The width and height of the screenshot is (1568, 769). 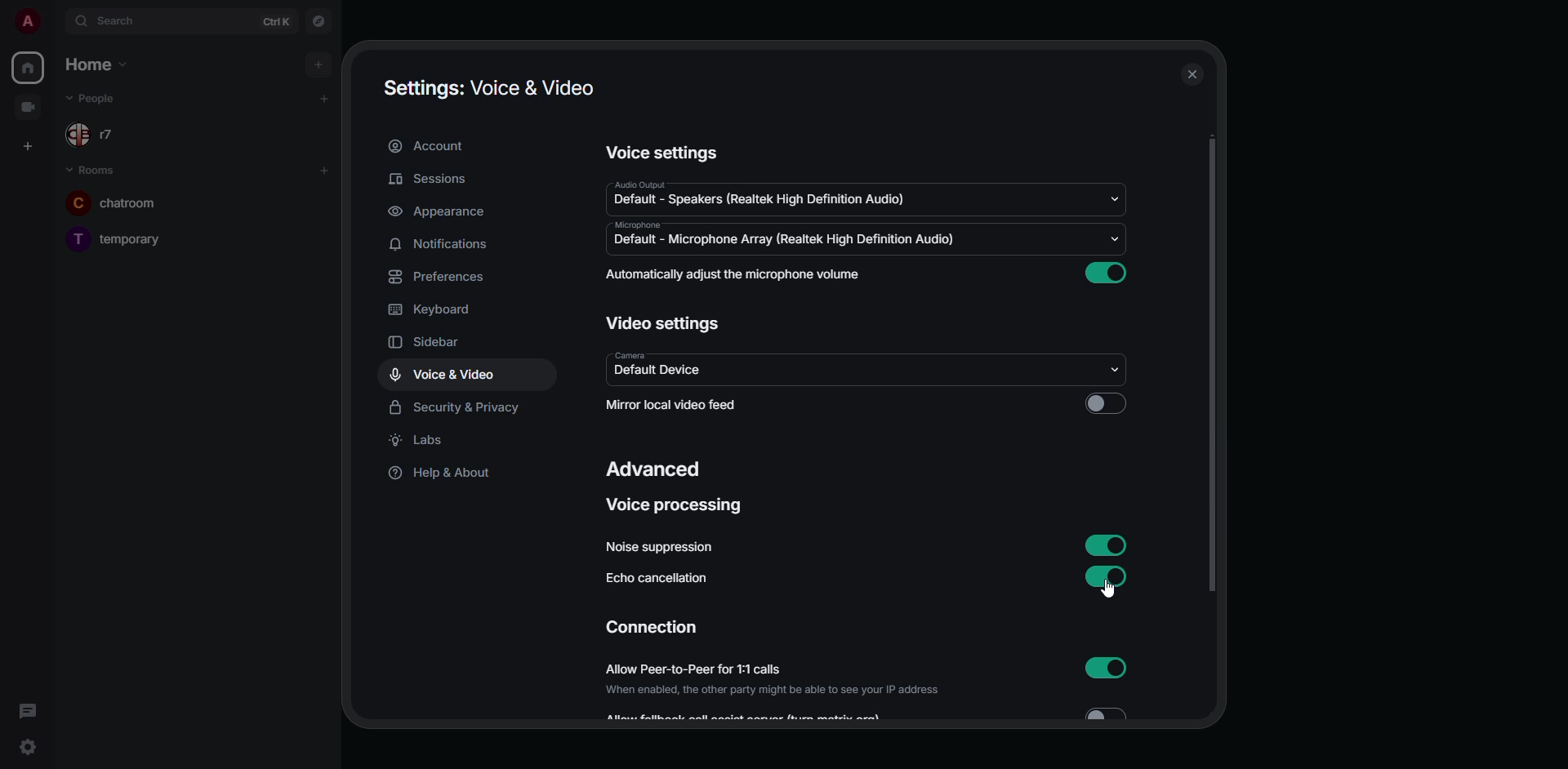 What do you see at coordinates (319, 64) in the screenshot?
I see `add` at bounding box center [319, 64].